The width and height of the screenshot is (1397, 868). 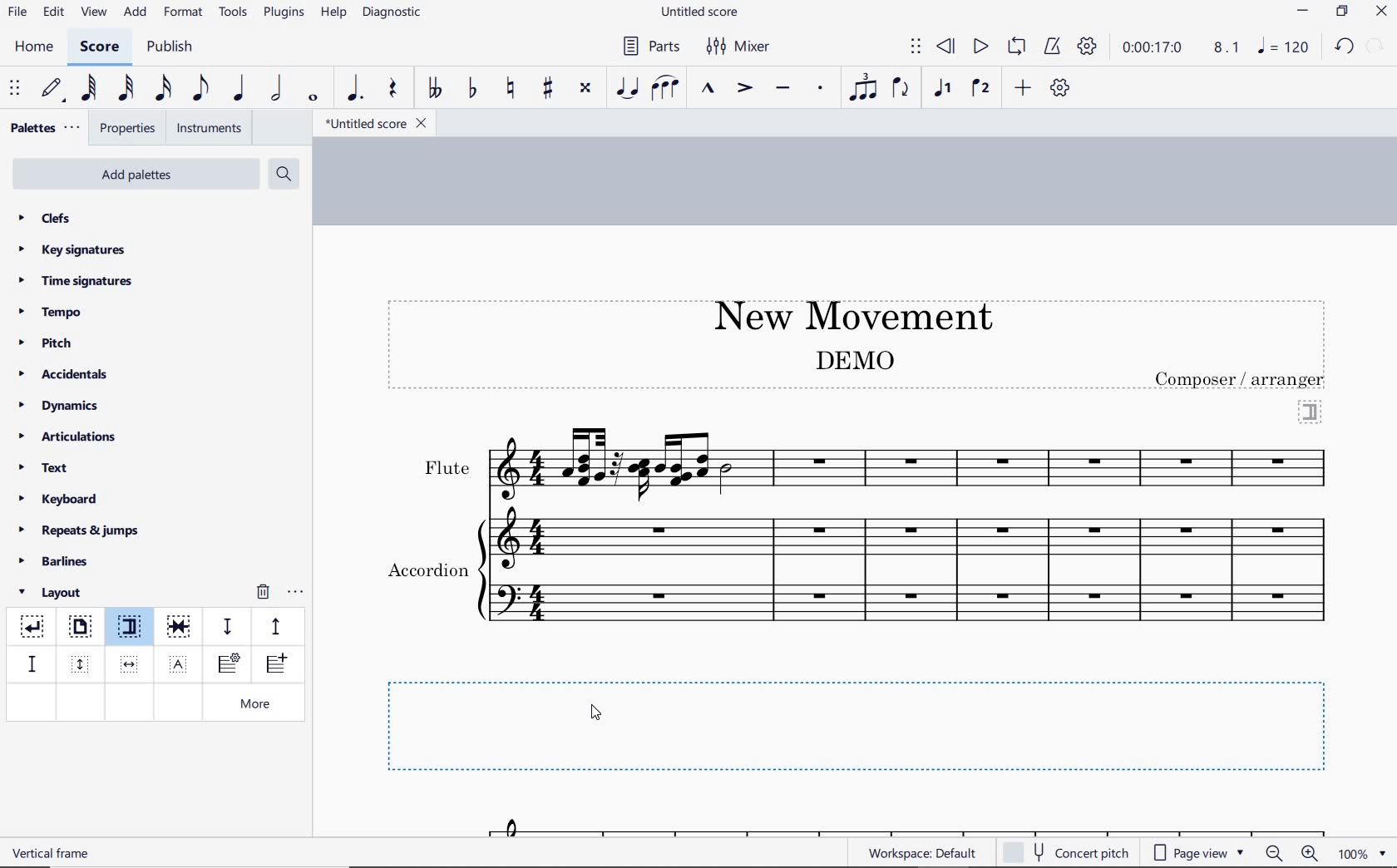 What do you see at coordinates (1061, 89) in the screenshot?
I see `customize toolbar` at bounding box center [1061, 89].